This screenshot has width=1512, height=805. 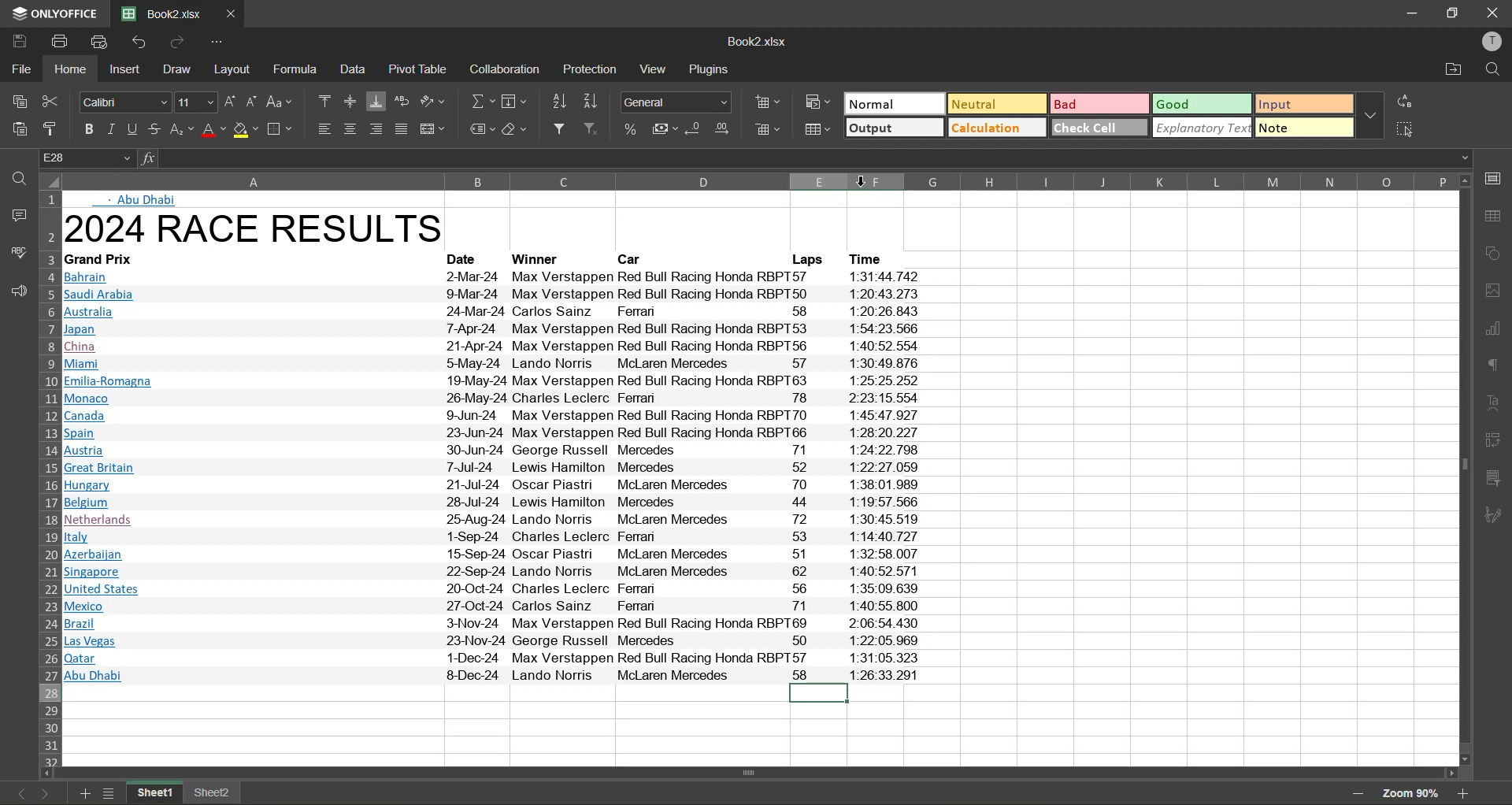 I want to click on named ranges, so click(x=481, y=129).